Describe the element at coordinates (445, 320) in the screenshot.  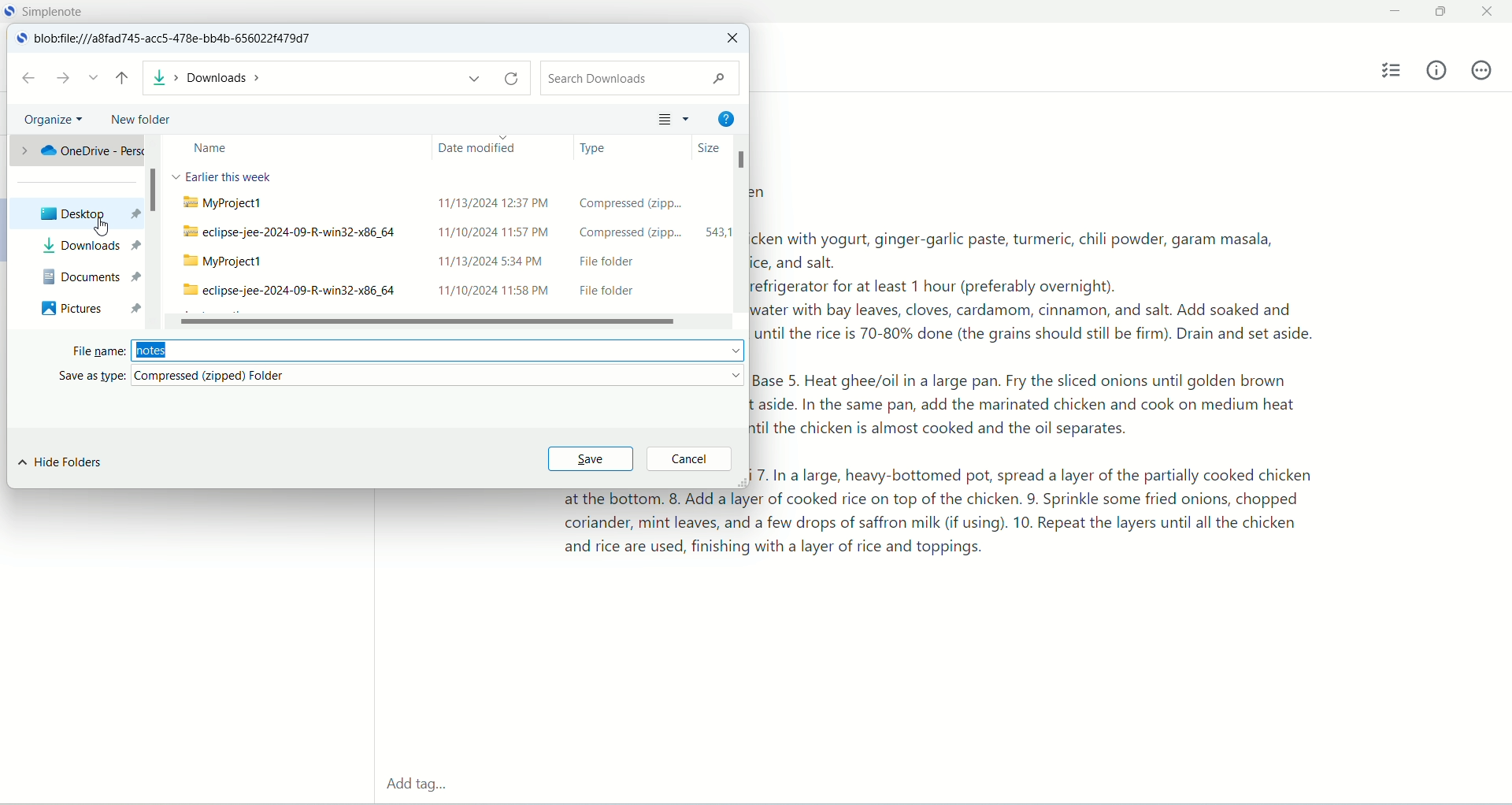
I see `horizontal scroll bar` at that location.